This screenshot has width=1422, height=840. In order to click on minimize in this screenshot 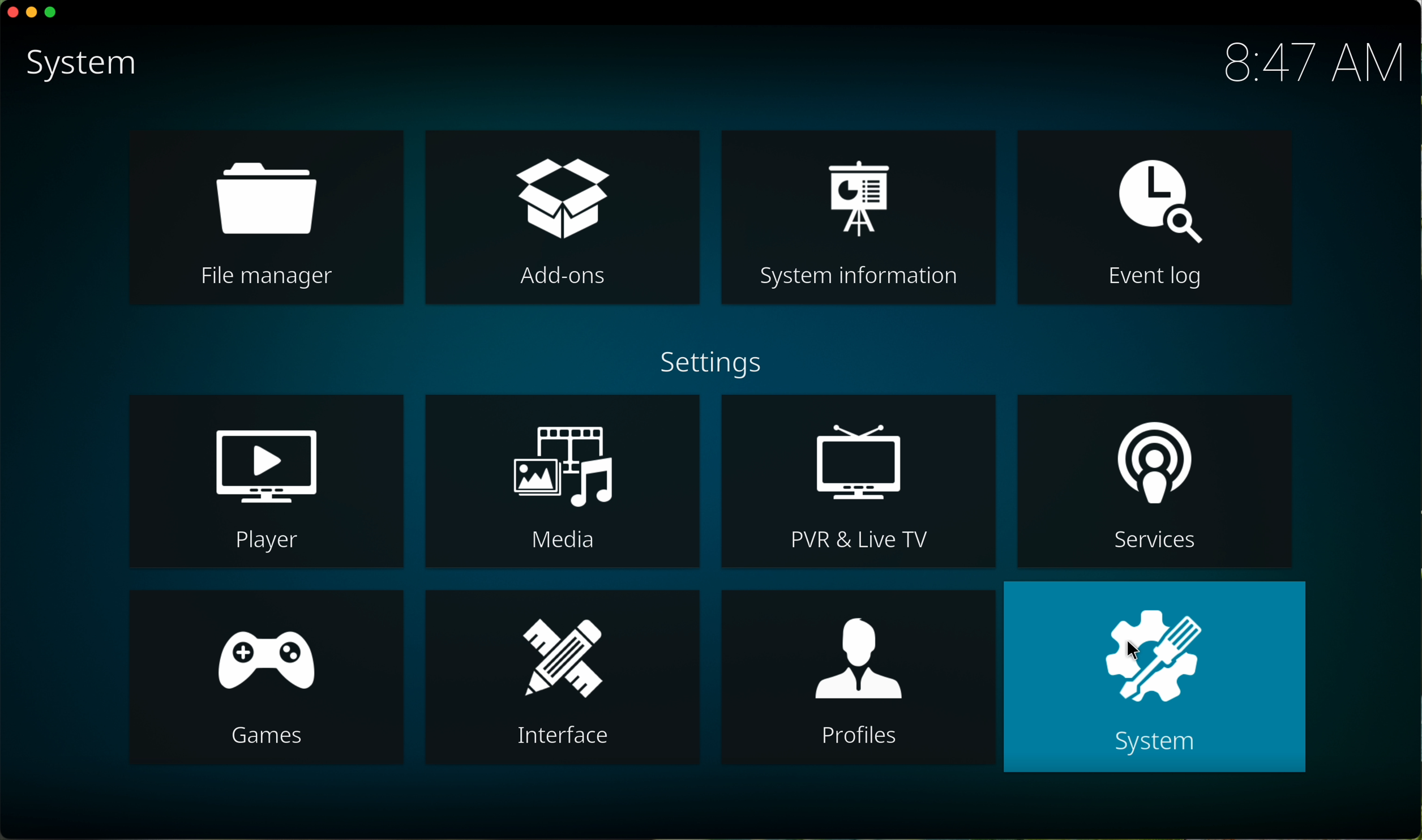, I will do `click(33, 12)`.